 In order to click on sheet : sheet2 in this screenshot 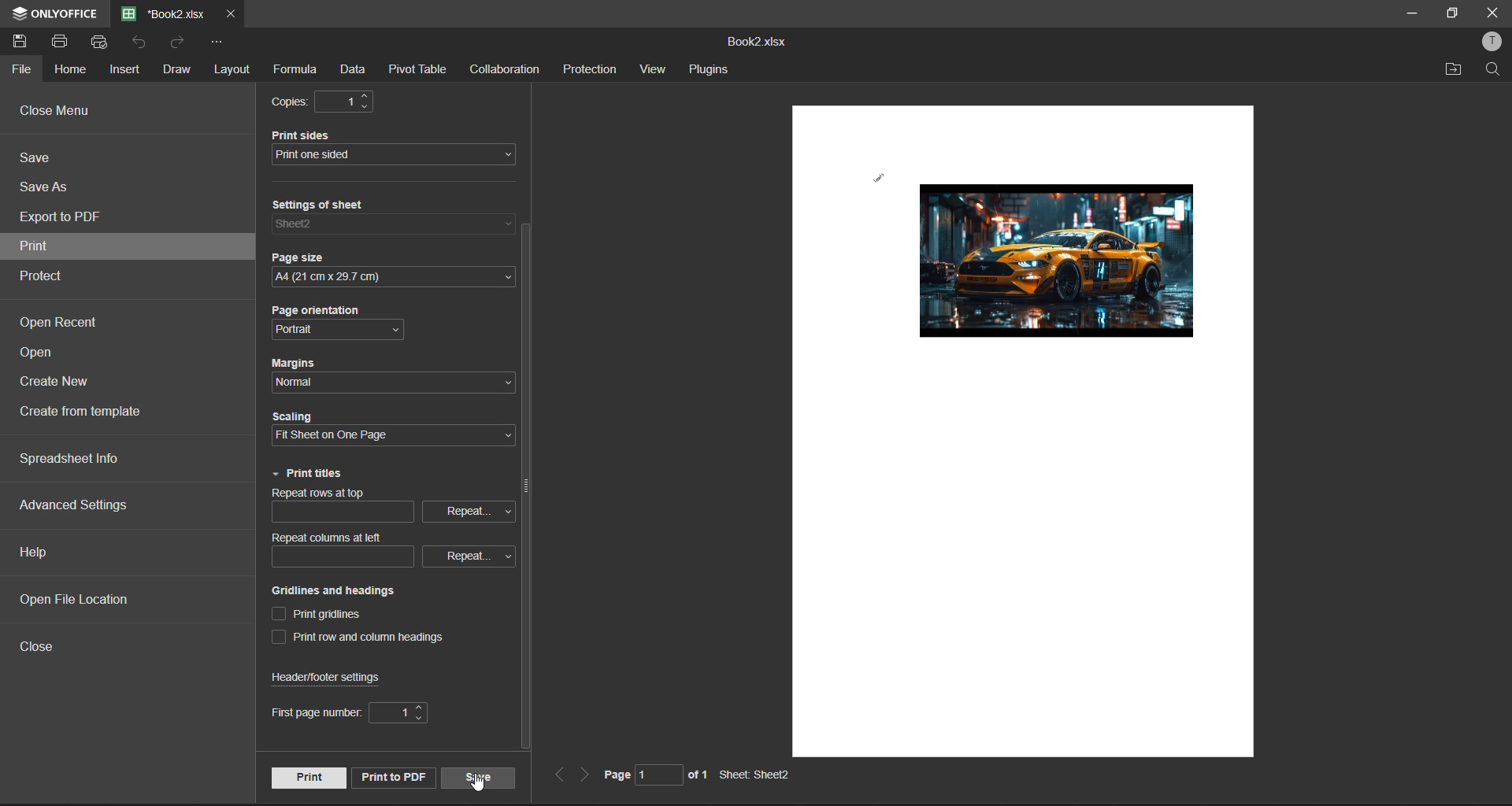, I will do `click(758, 775)`.